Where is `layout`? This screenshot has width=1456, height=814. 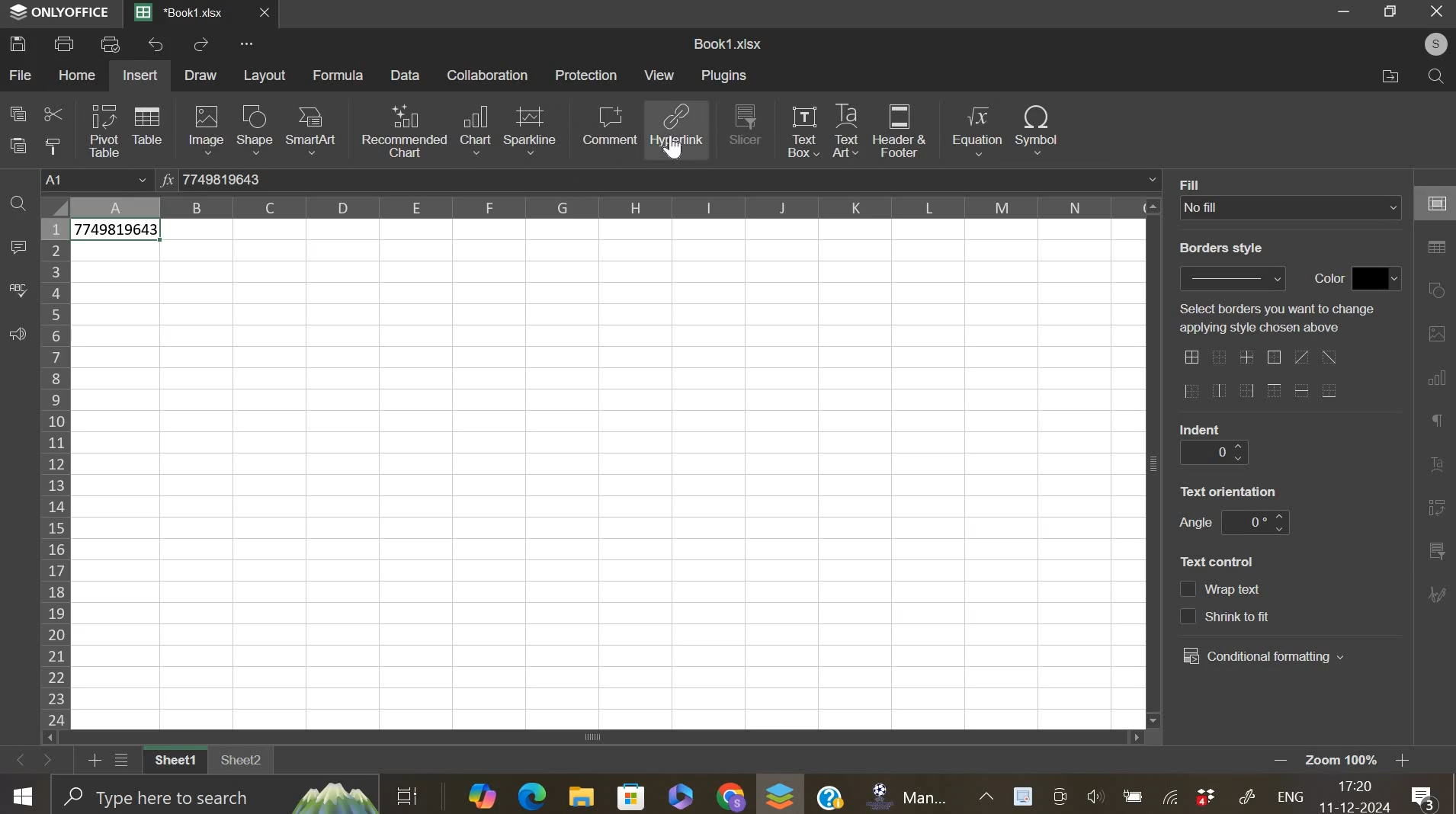
layout is located at coordinates (266, 75).